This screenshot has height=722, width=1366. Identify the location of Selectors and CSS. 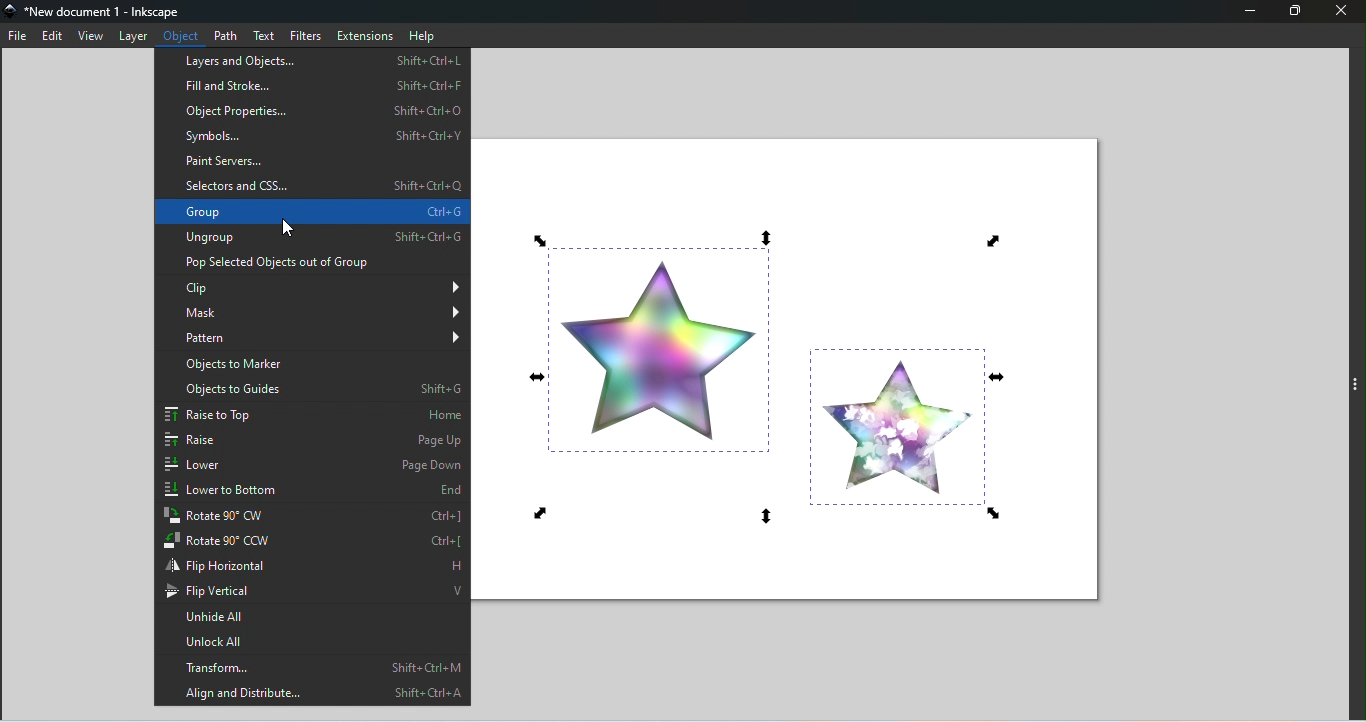
(309, 186).